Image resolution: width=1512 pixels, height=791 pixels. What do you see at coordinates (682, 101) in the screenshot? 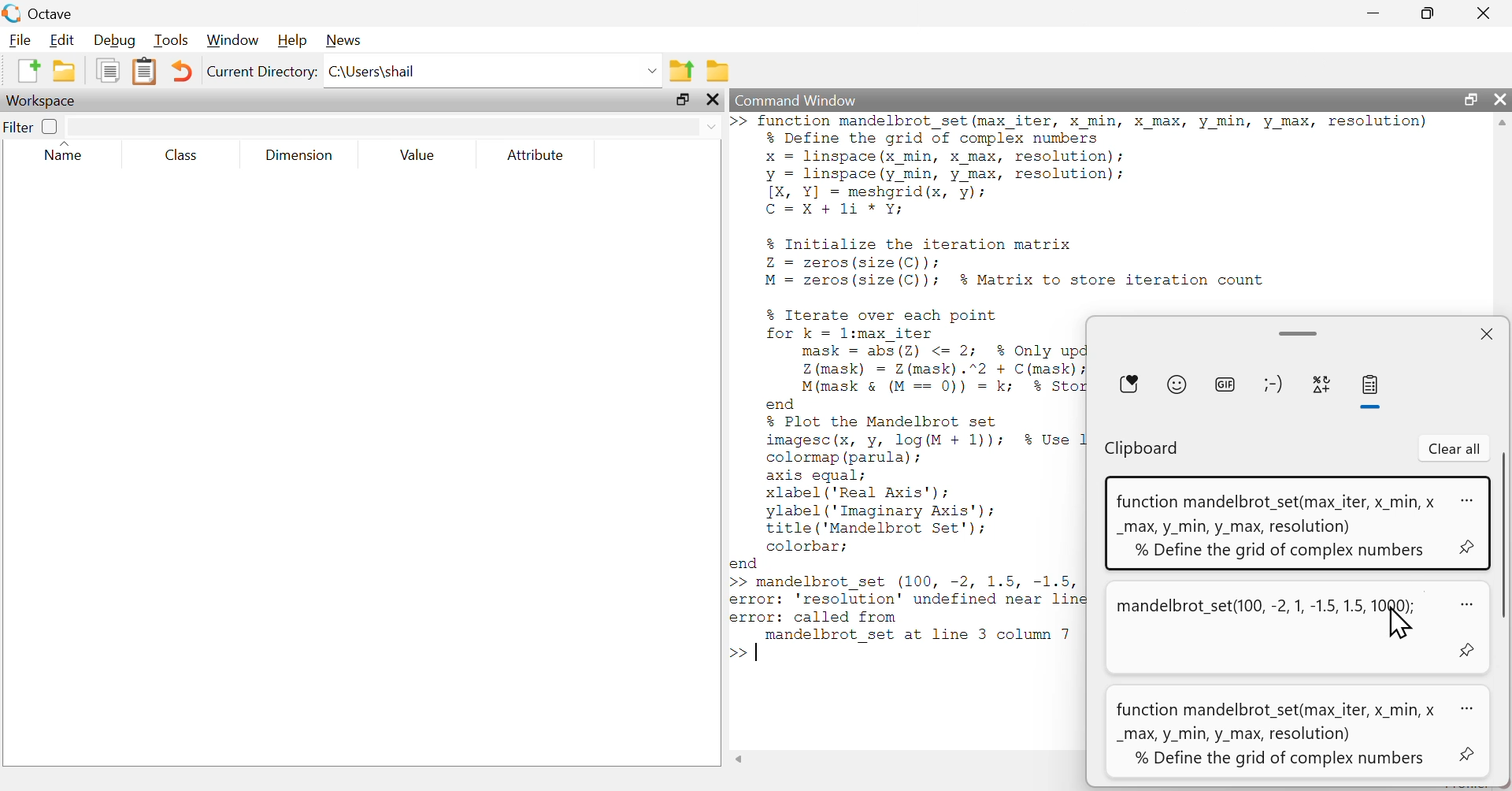
I see `maximize` at bounding box center [682, 101].